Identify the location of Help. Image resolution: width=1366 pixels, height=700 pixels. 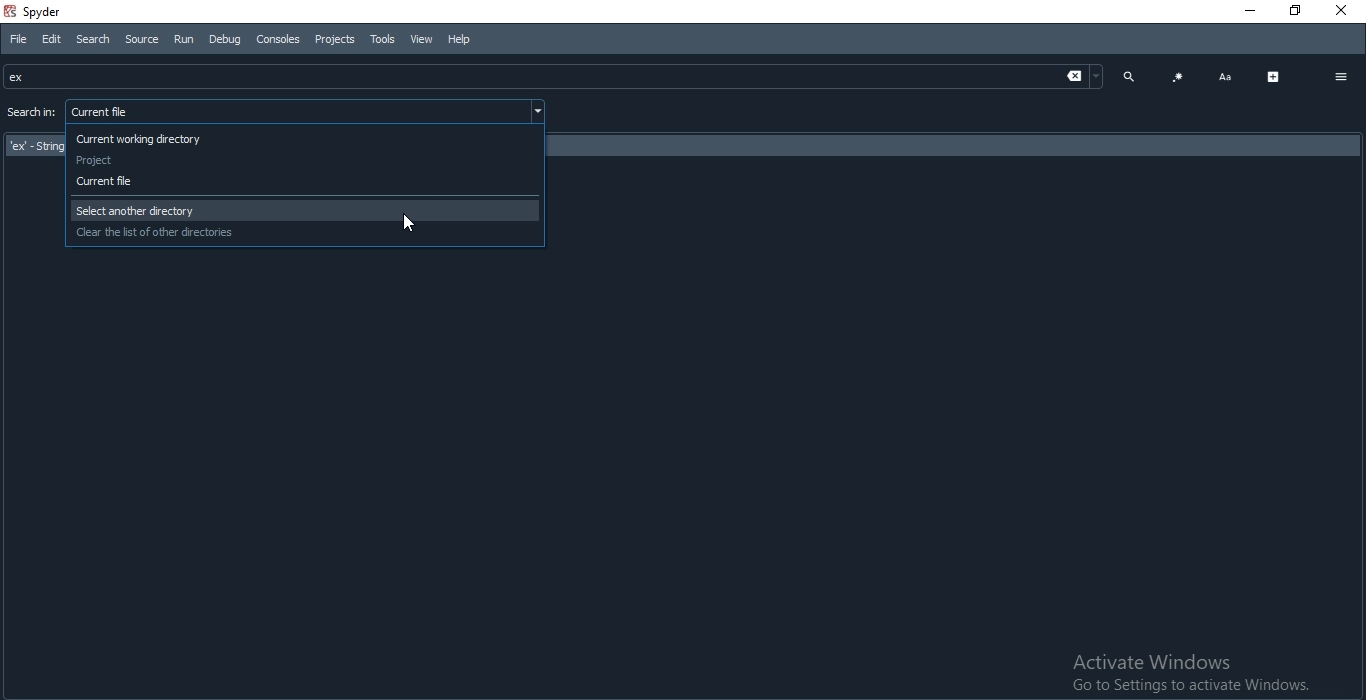
(464, 40).